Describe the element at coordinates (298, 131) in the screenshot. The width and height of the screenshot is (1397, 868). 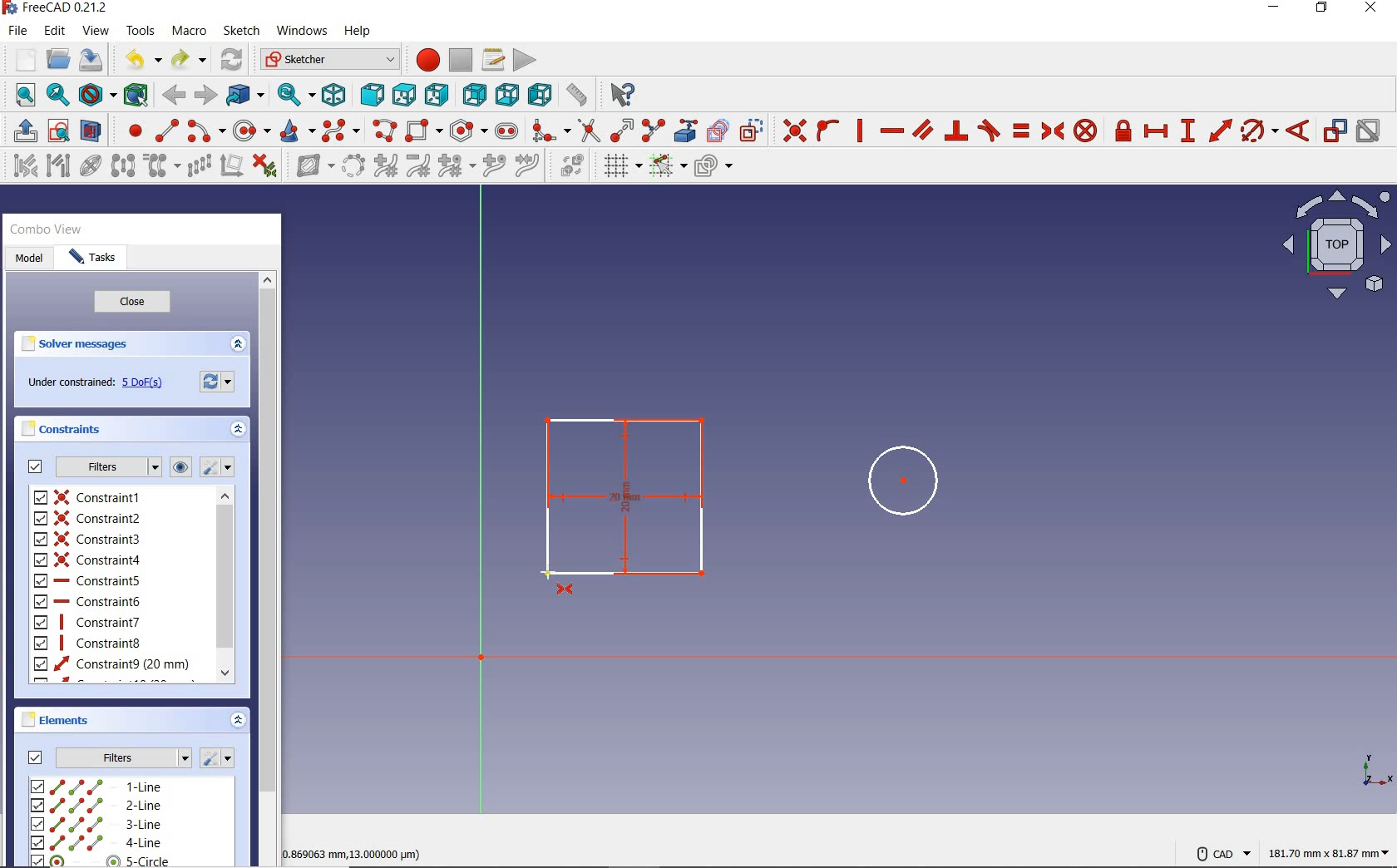
I see `create conic` at that location.